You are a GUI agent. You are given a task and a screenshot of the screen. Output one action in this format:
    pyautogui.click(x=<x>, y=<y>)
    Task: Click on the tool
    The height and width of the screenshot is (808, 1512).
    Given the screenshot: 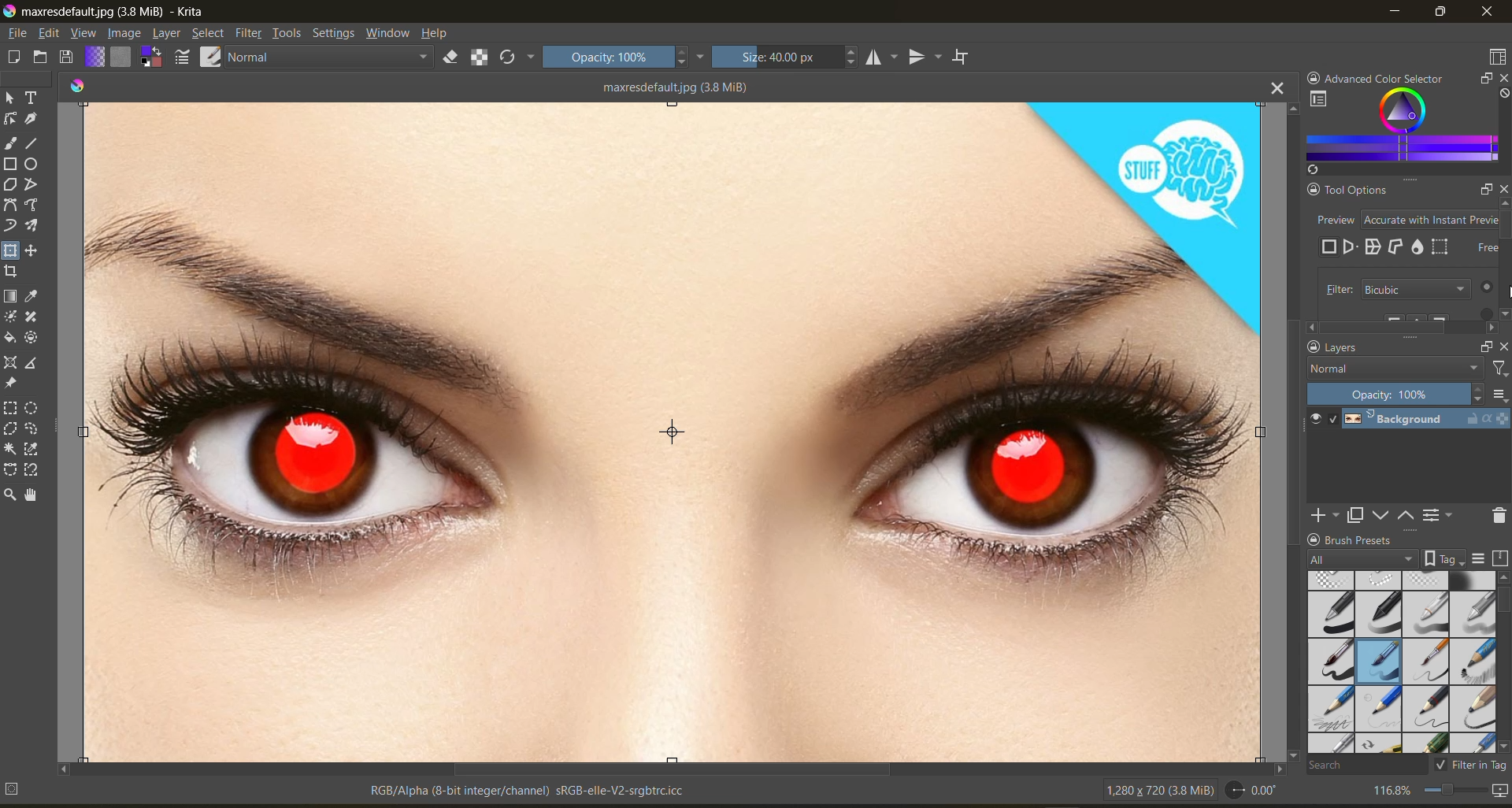 What is the action you would take?
    pyautogui.click(x=31, y=185)
    